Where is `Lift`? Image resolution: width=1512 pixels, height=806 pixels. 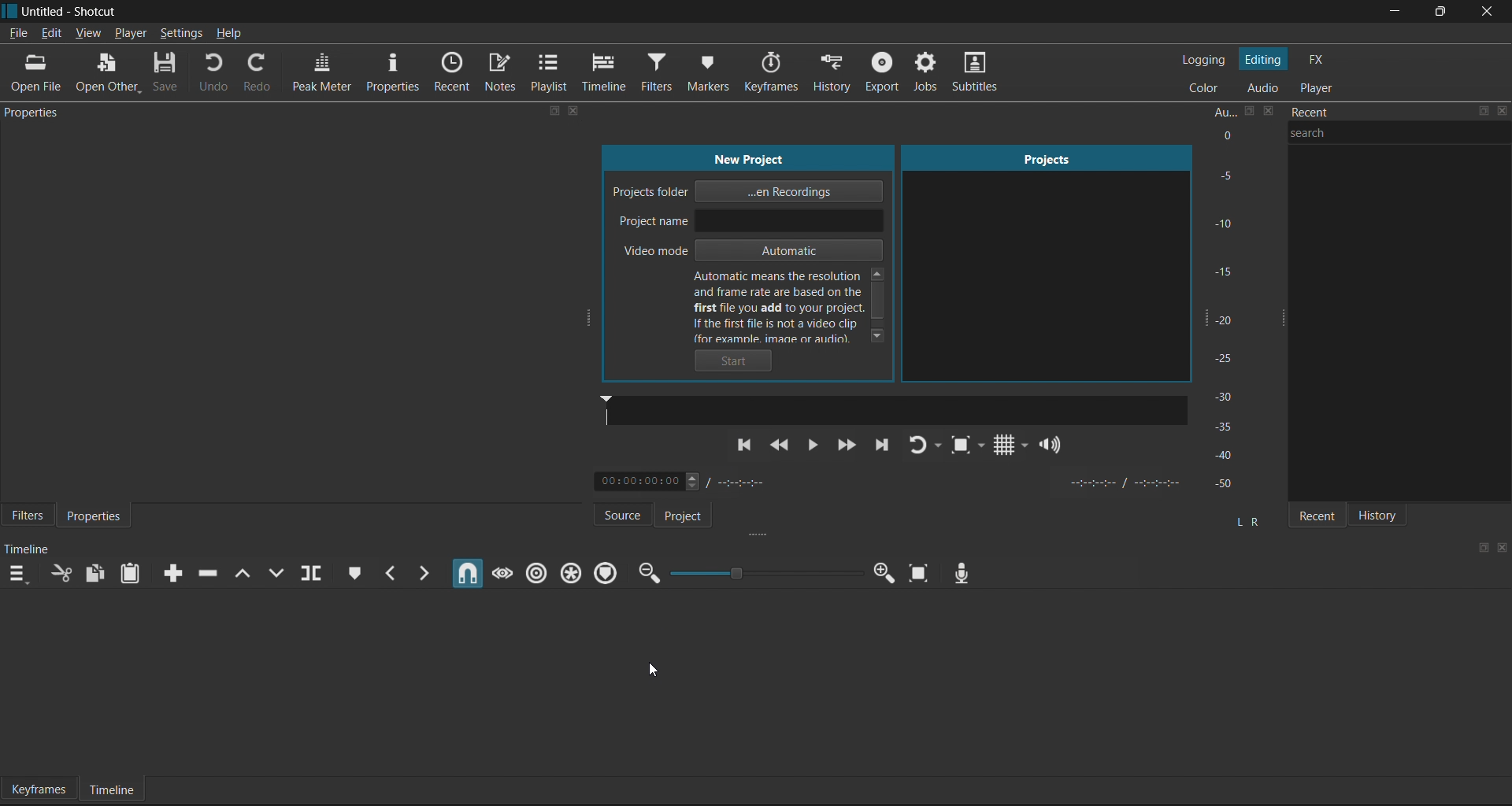 Lift is located at coordinates (246, 571).